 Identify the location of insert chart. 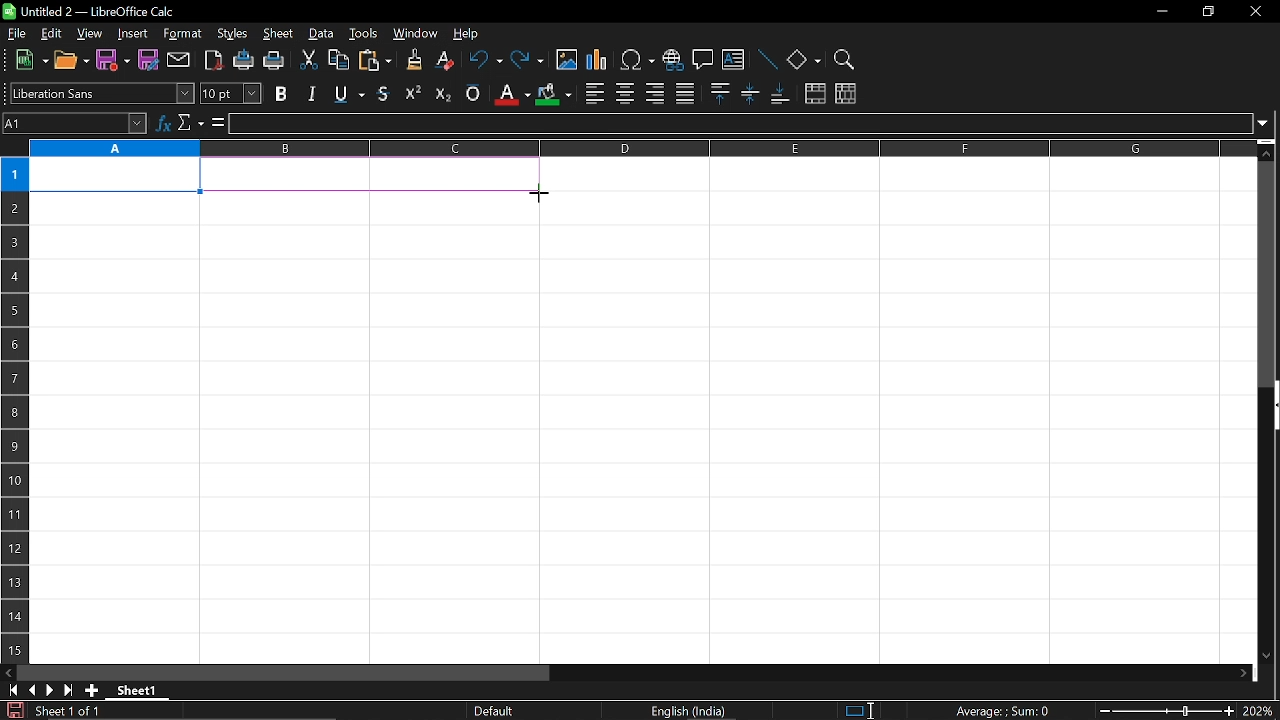
(598, 61).